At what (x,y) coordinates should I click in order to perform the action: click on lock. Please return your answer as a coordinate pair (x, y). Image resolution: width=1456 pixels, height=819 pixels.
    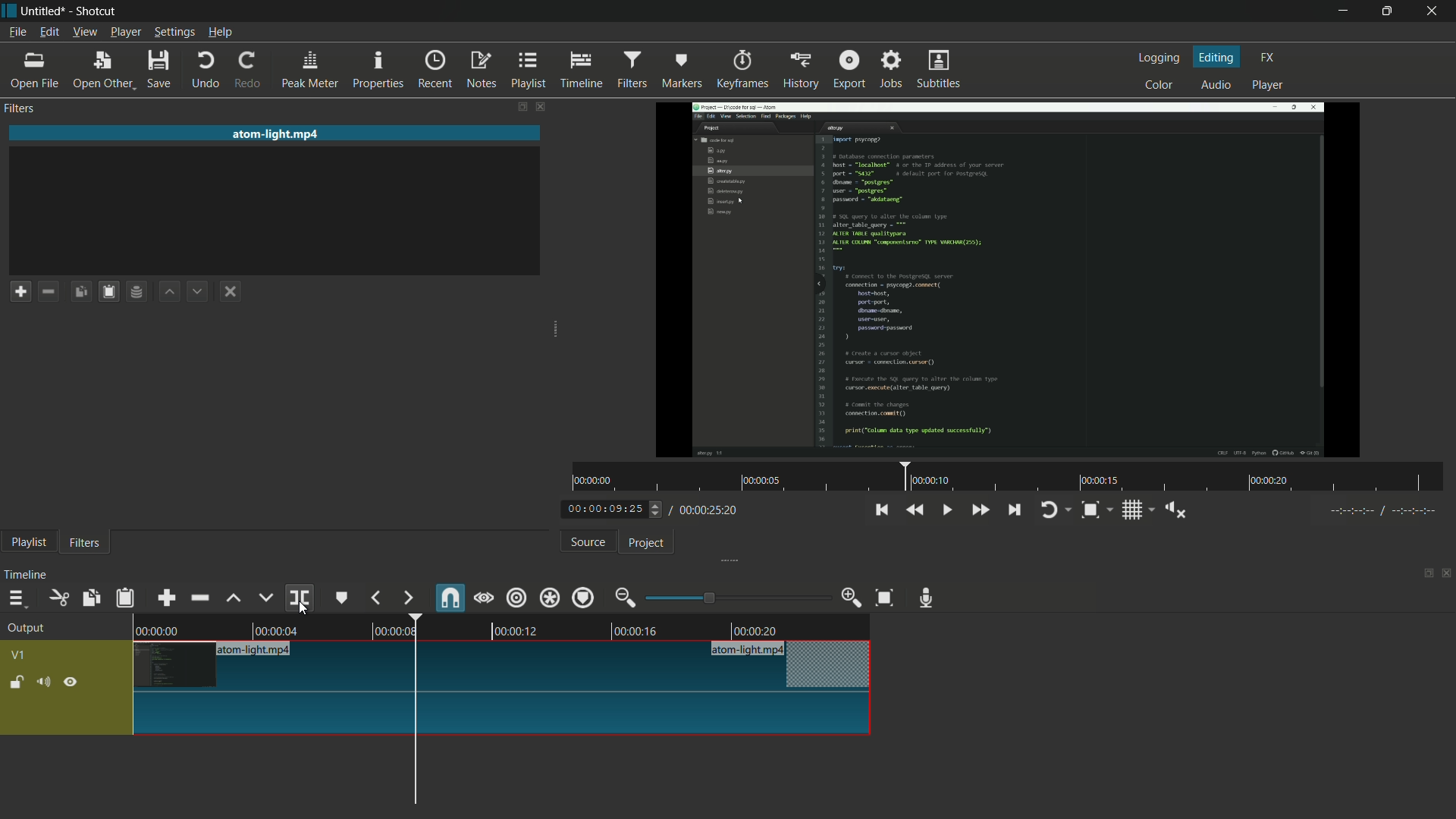
    Looking at the image, I should click on (17, 683).